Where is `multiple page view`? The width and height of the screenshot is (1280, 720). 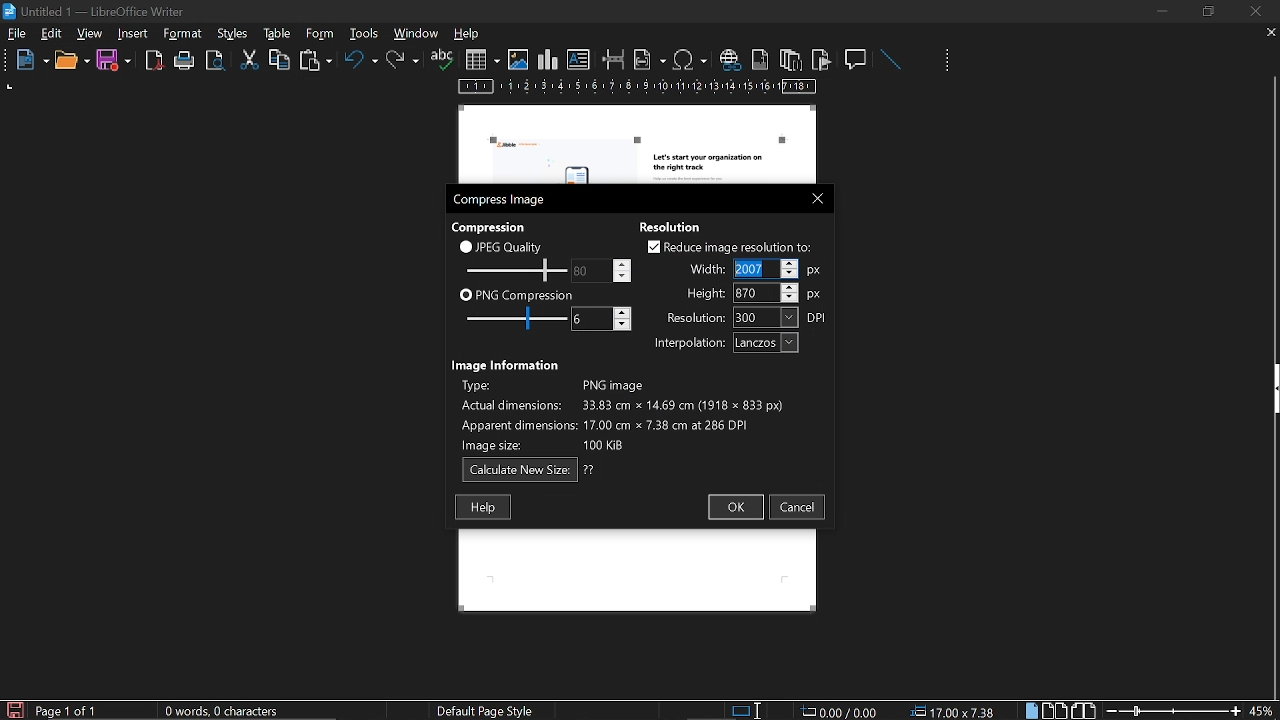
multiple page view is located at coordinates (1055, 711).